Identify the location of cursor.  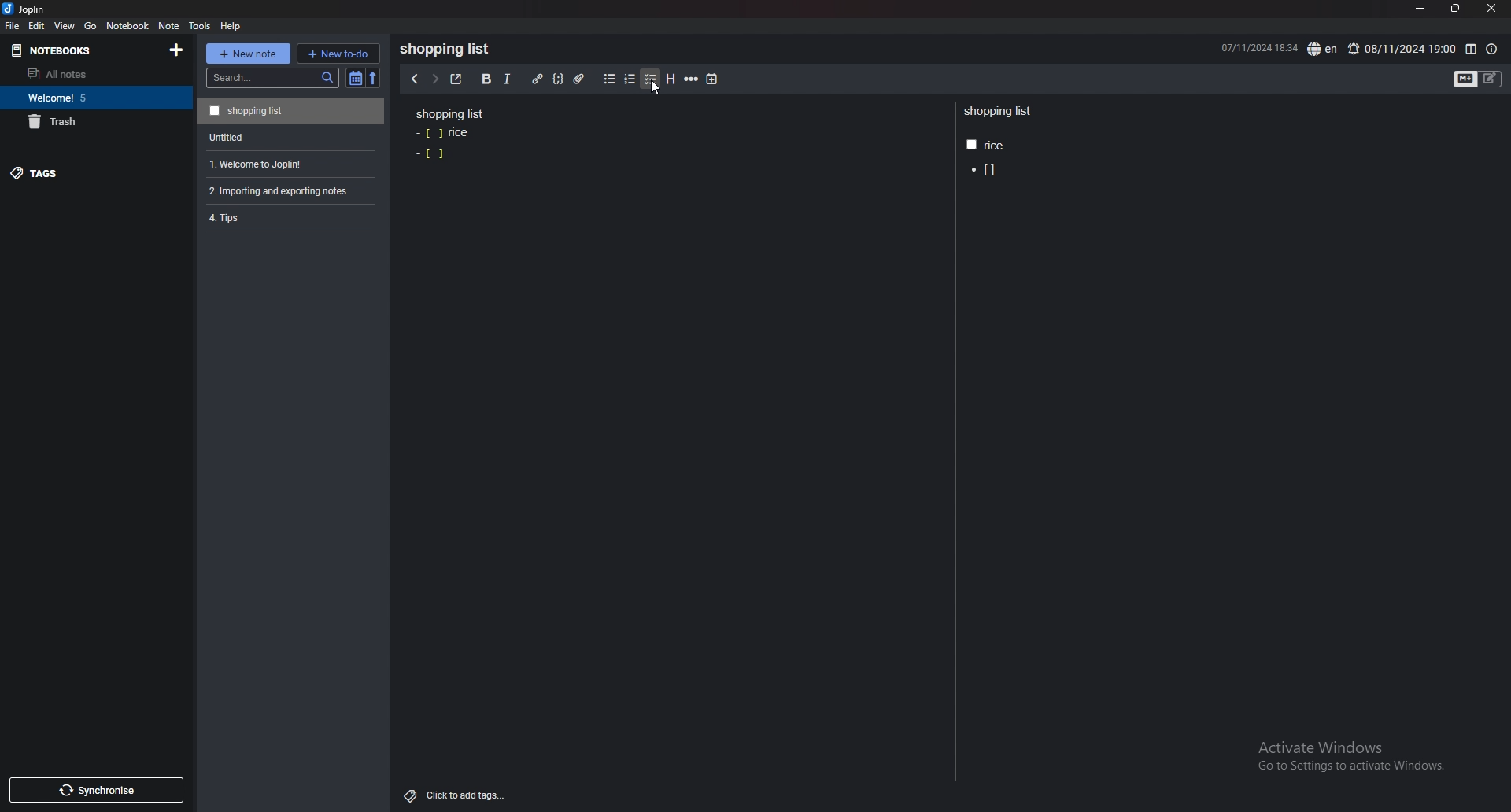
(982, 172).